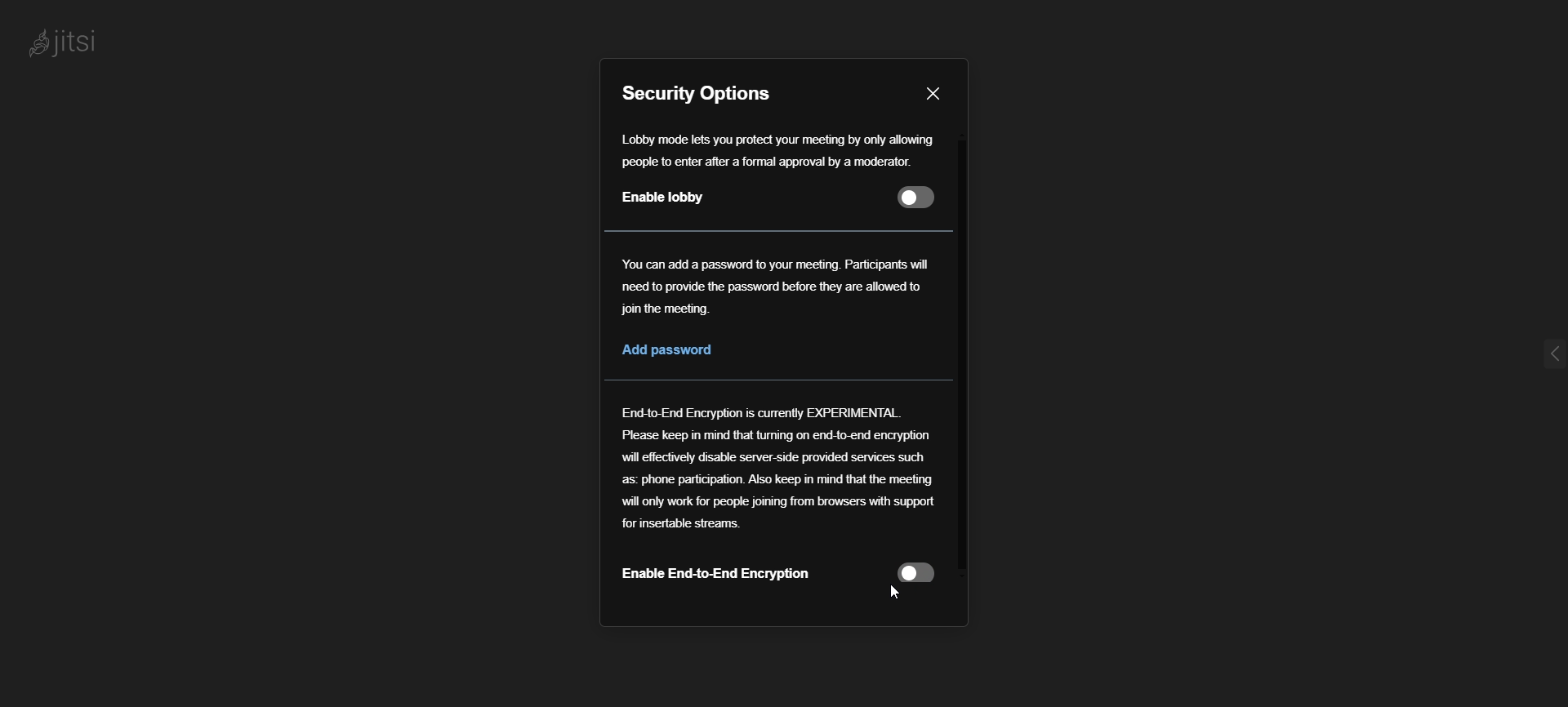 The height and width of the screenshot is (707, 1568). What do you see at coordinates (781, 284) in the screenshot?
I see `You can add a password to your meeting. Participants will
need to provide the password before they are allowed to
join the meeting.` at bounding box center [781, 284].